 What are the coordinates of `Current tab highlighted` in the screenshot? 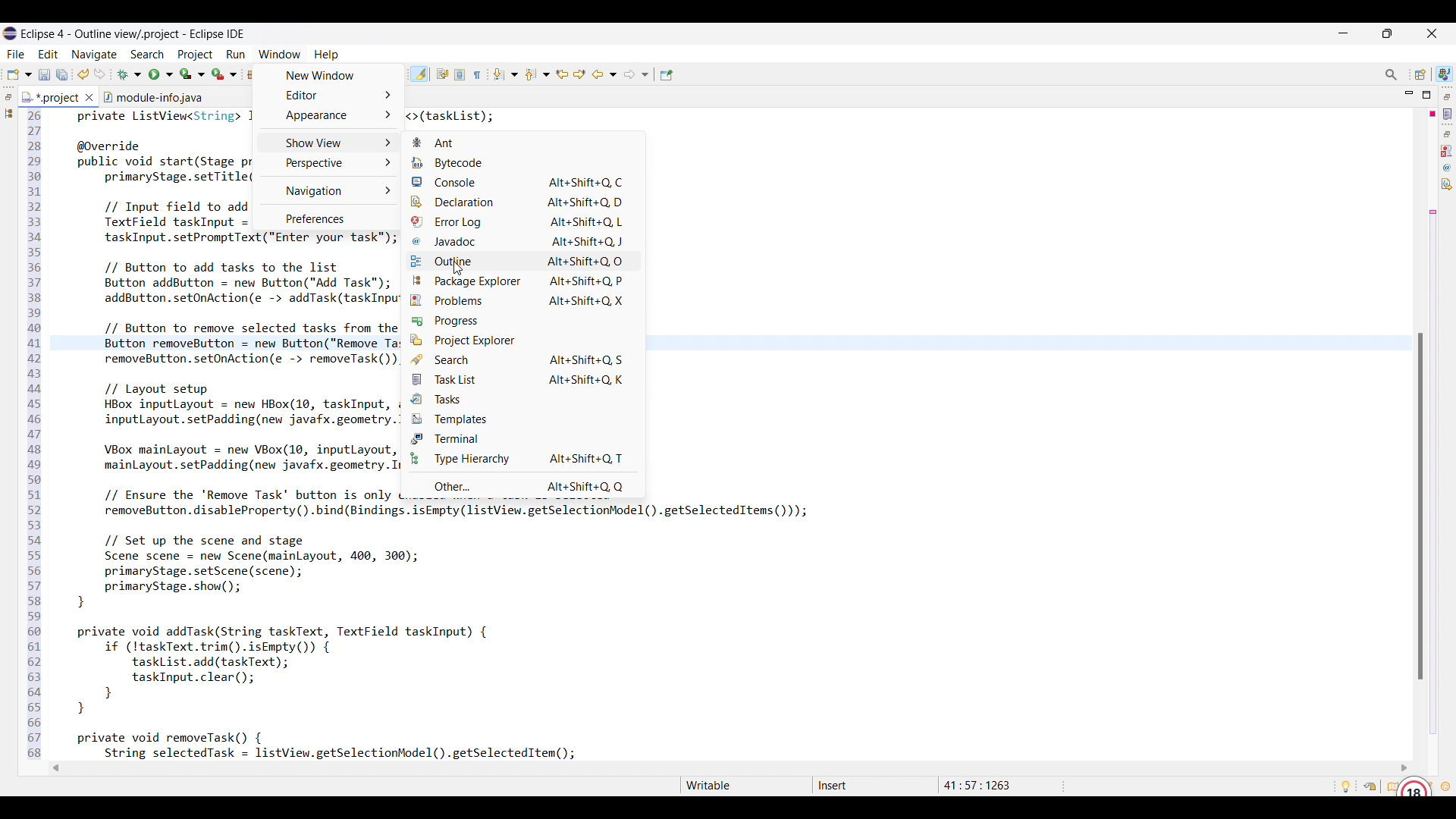 It's located at (51, 96).